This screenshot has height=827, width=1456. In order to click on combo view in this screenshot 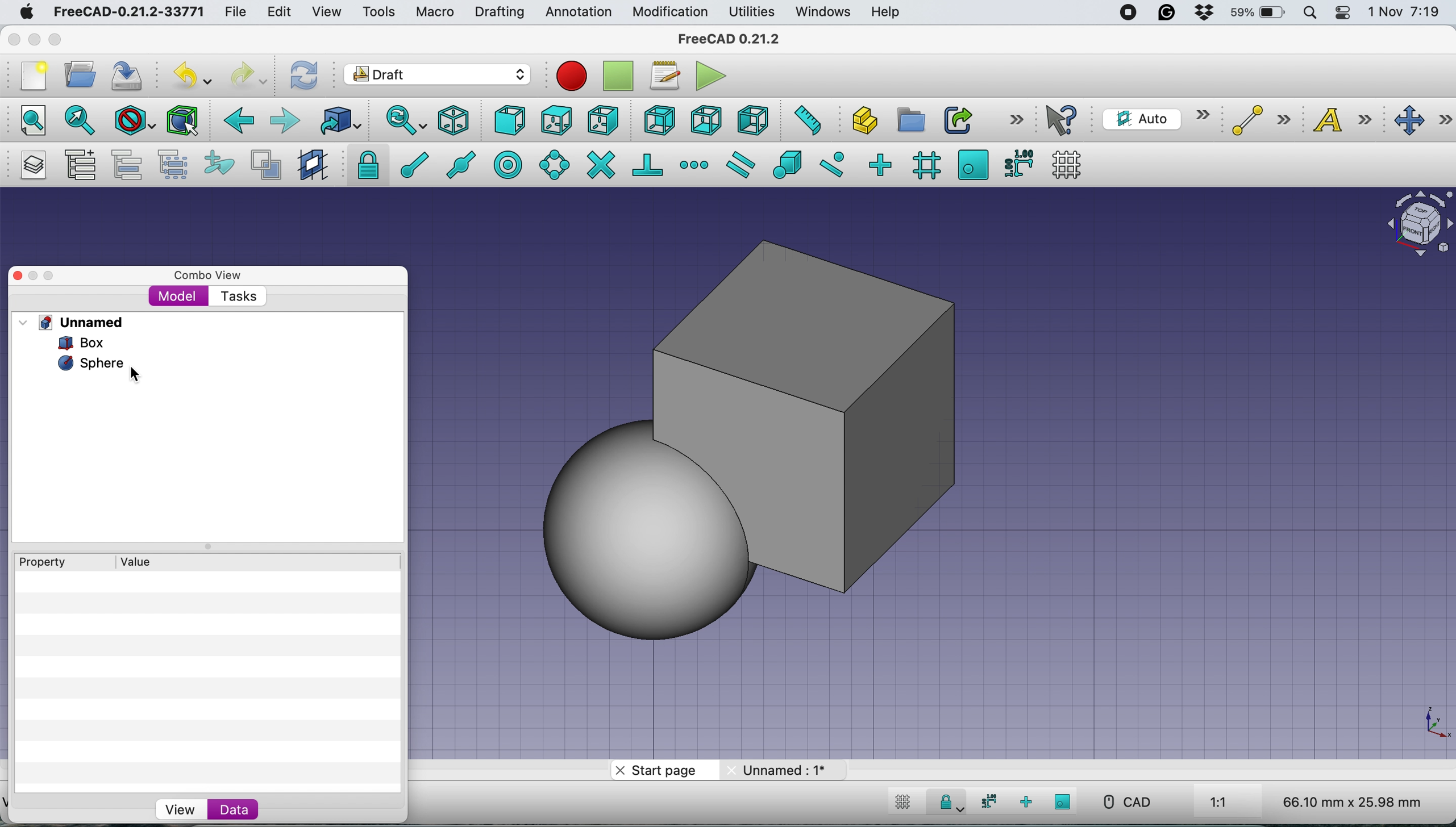, I will do `click(208, 275)`.